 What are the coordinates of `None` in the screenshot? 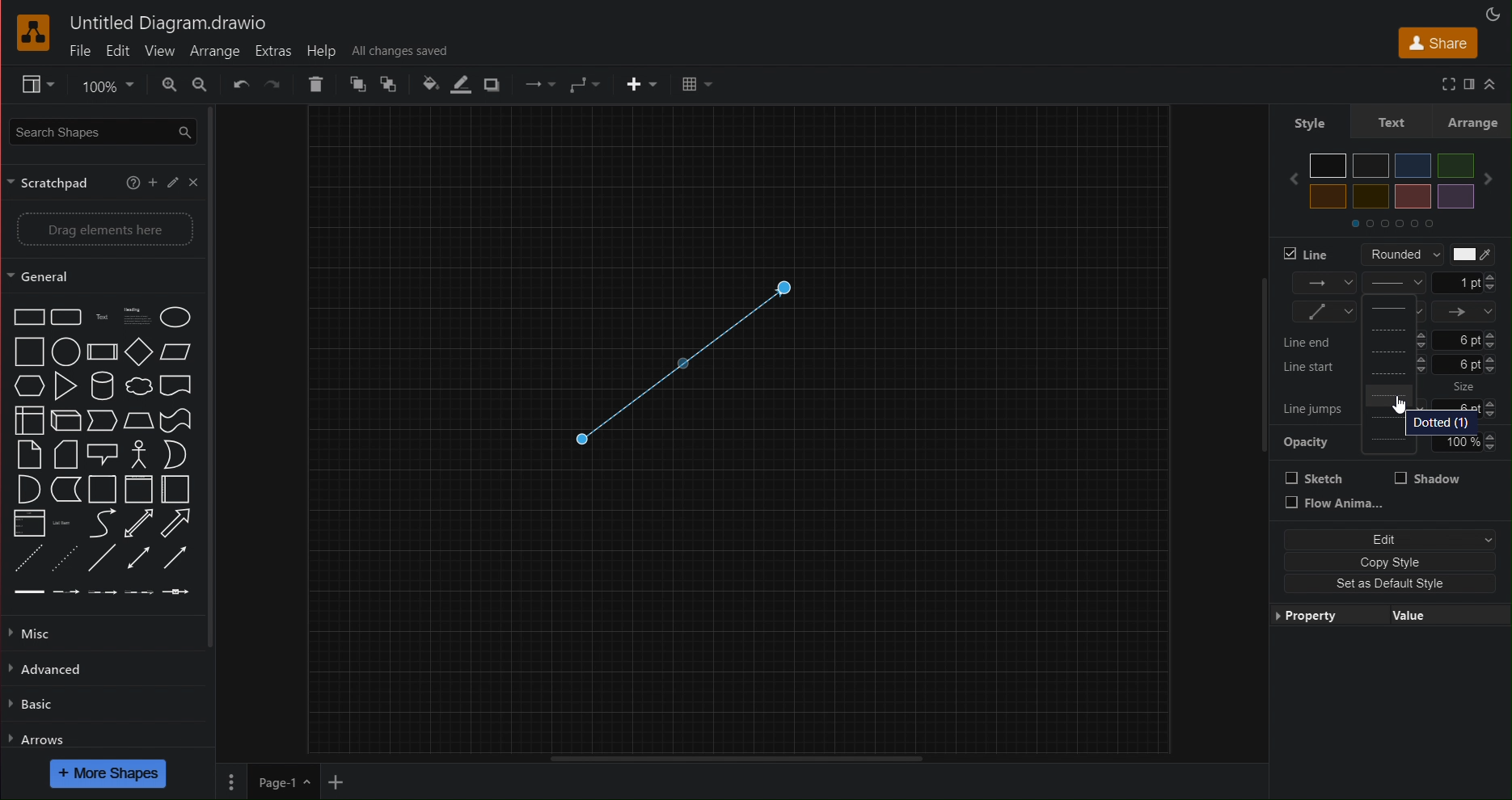 It's located at (1393, 311).